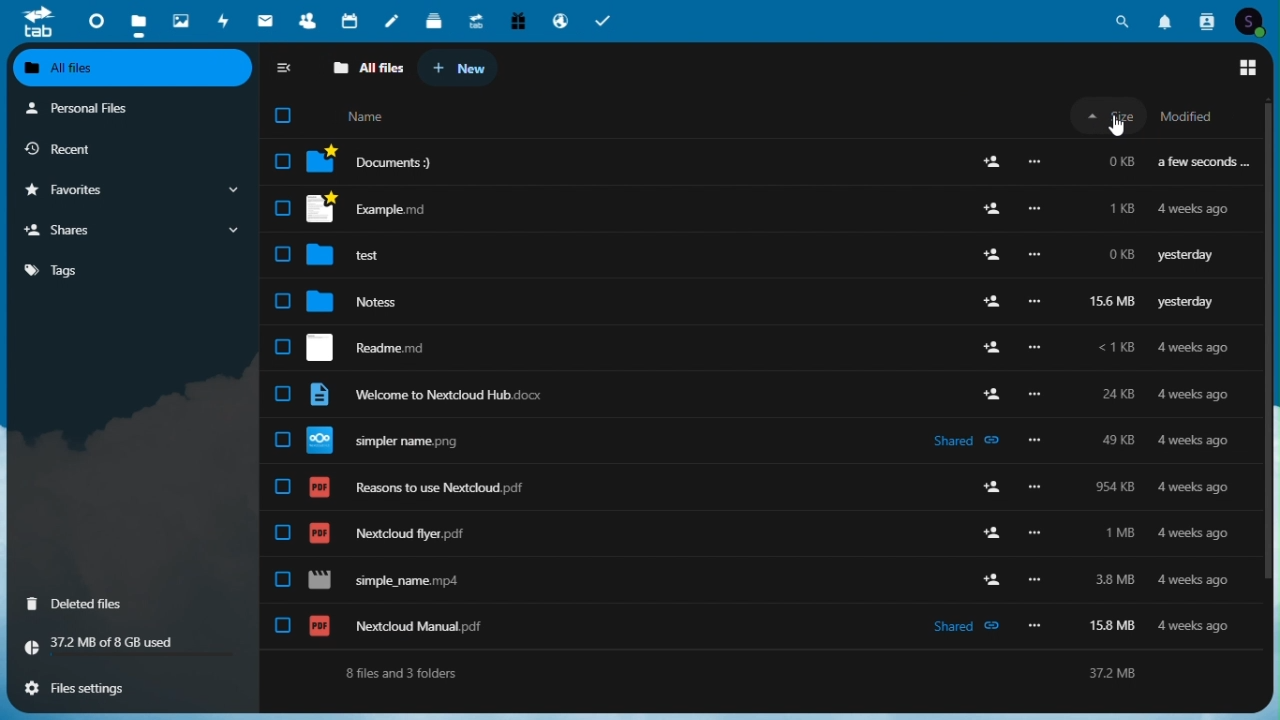 The image size is (1280, 720). Describe the element at coordinates (1108, 672) in the screenshot. I see `372M8` at that location.